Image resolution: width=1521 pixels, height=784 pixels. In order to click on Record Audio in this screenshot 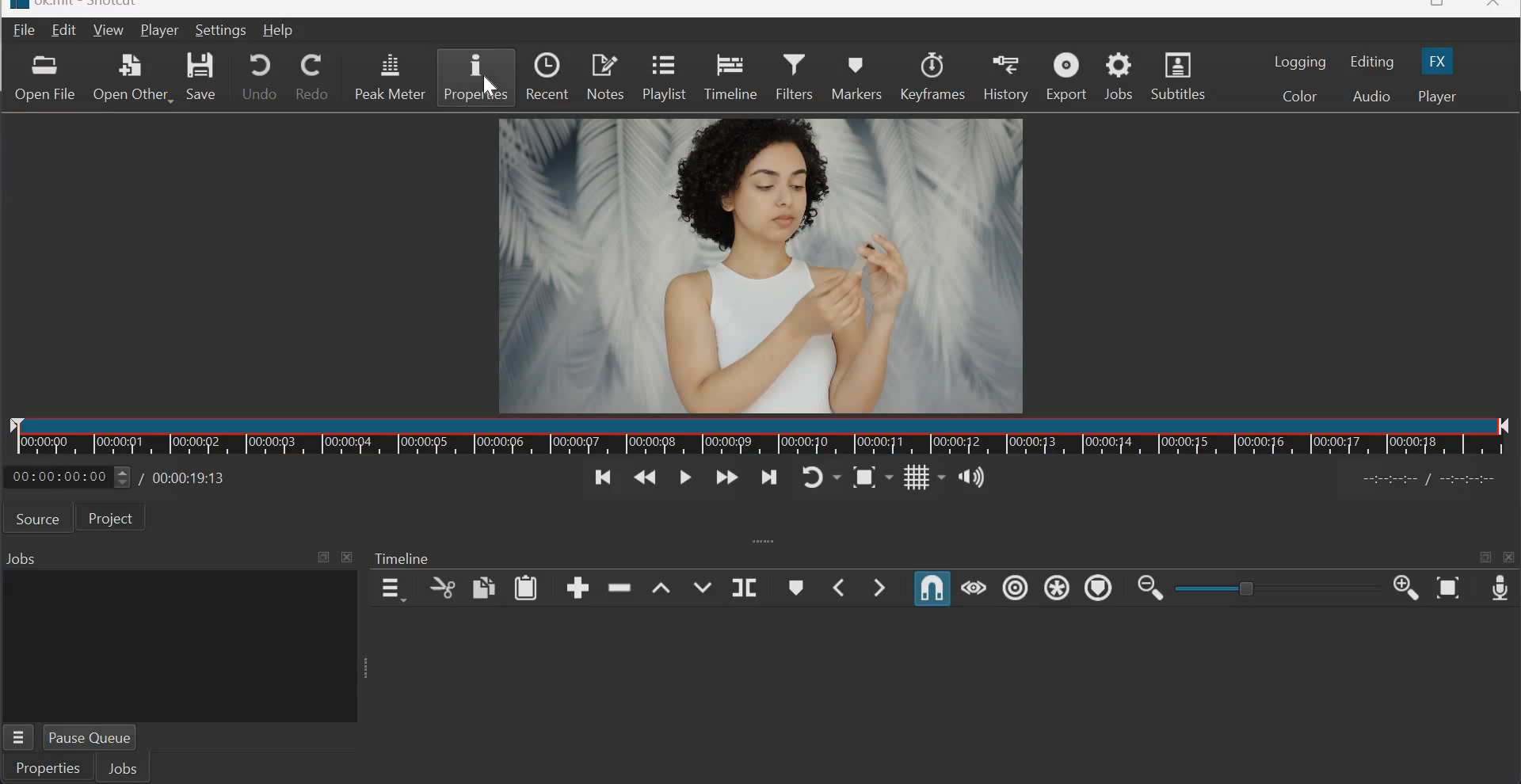, I will do `click(1499, 590)`.